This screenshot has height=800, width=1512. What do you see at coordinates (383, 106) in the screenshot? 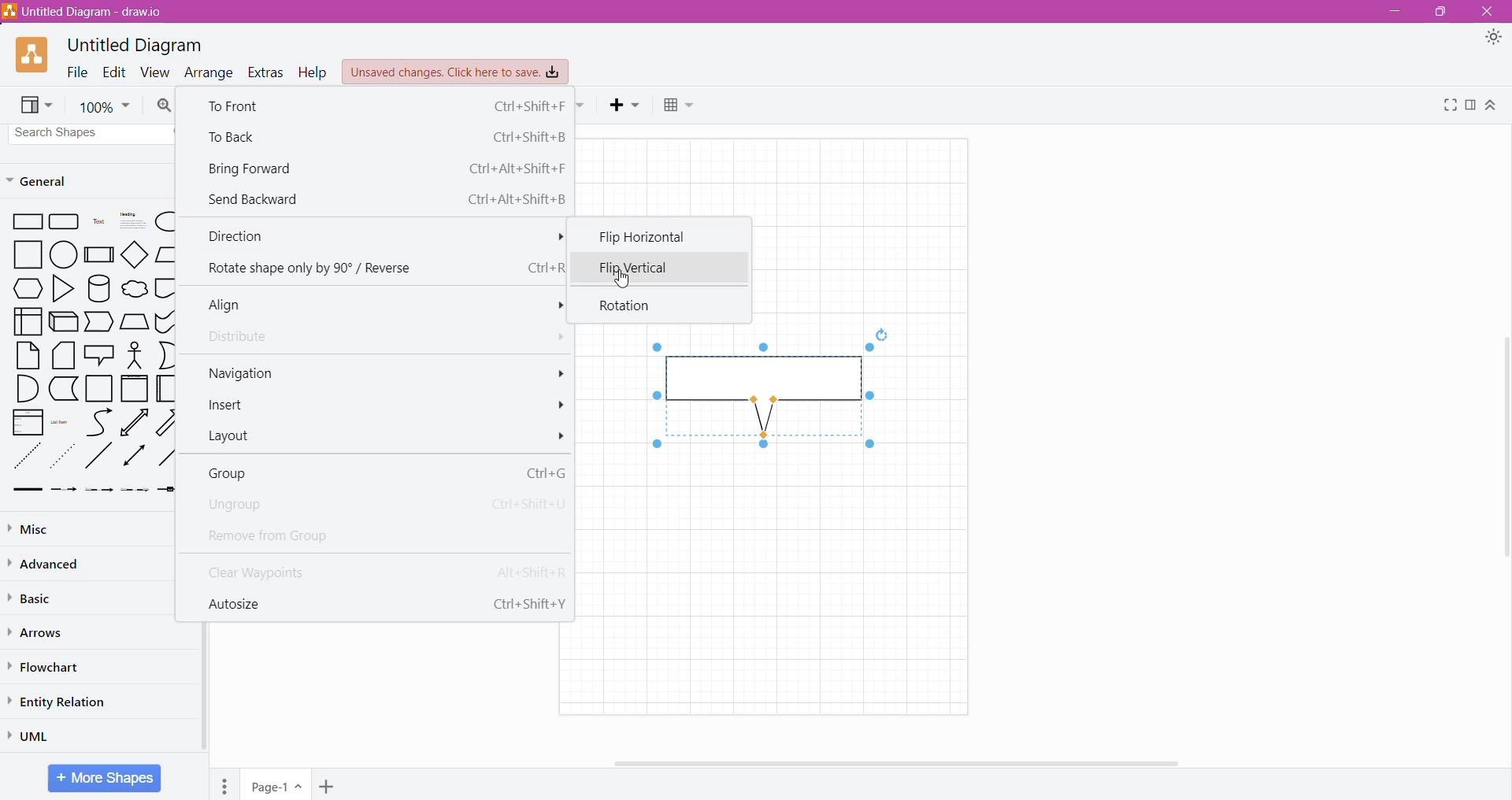
I see `To Front` at bounding box center [383, 106].